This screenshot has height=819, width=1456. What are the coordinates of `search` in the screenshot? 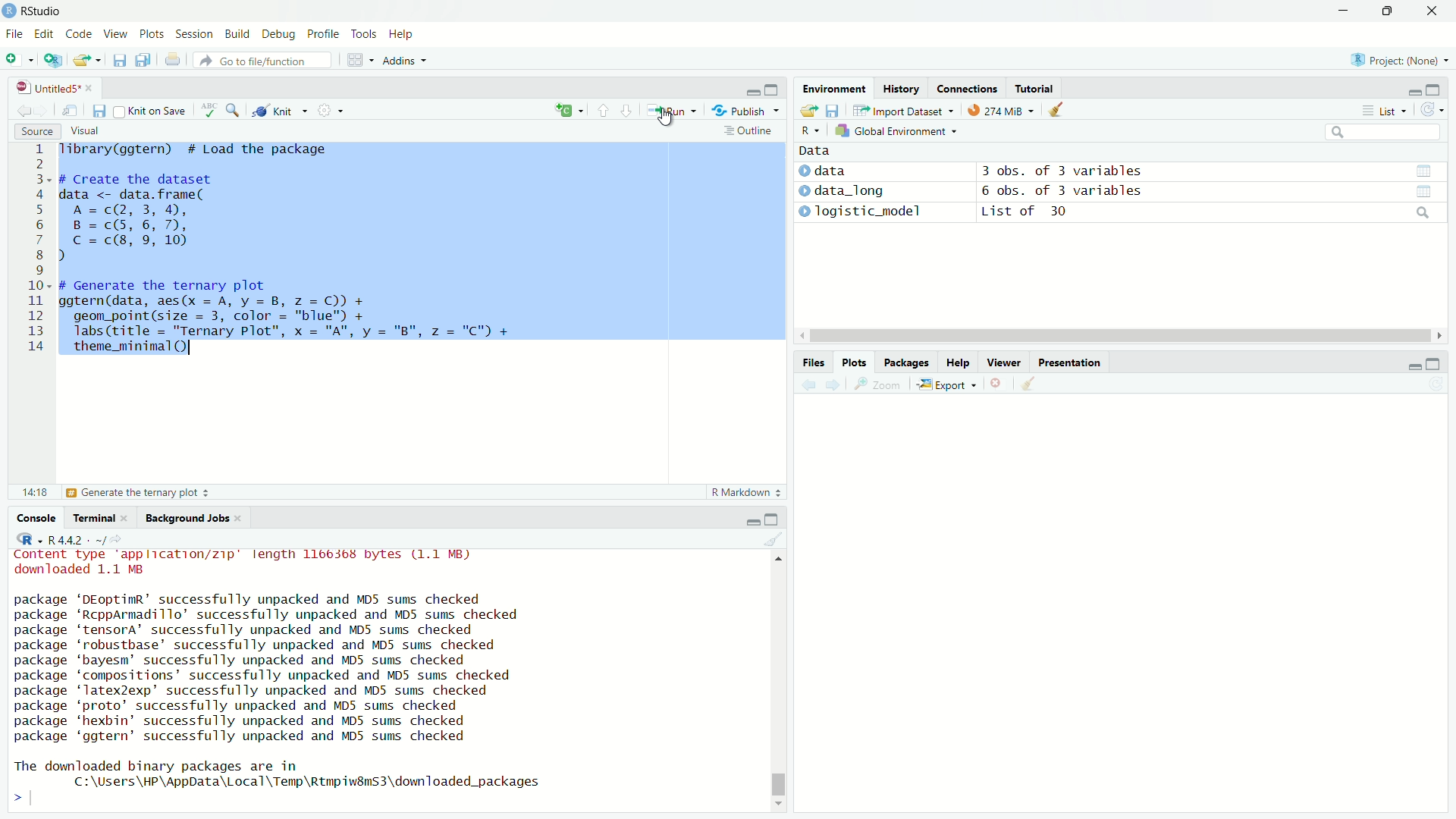 It's located at (1381, 133).